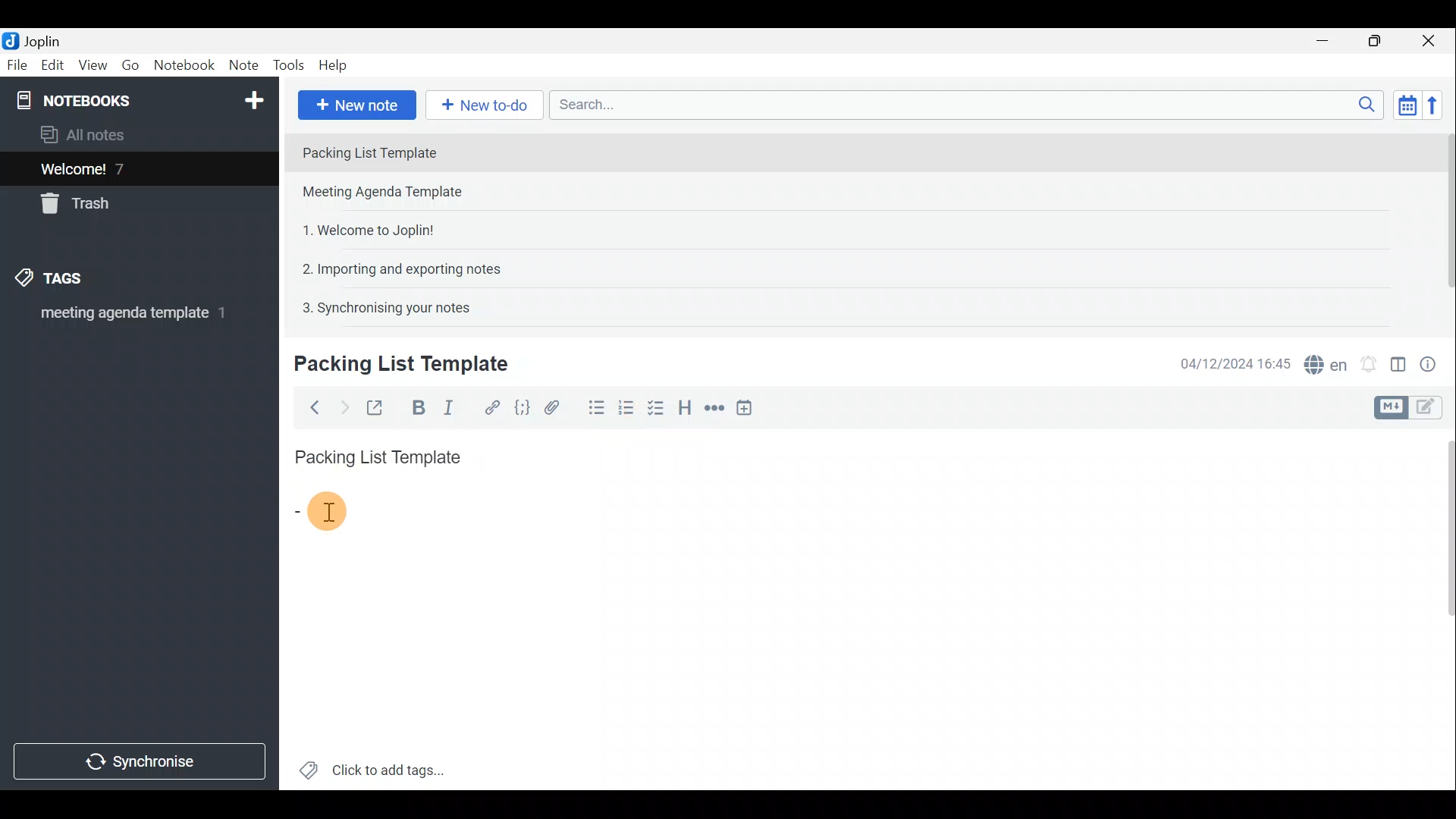 The image size is (1456, 819). What do you see at coordinates (142, 764) in the screenshot?
I see `Synchronise` at bounding box center [142, 764].